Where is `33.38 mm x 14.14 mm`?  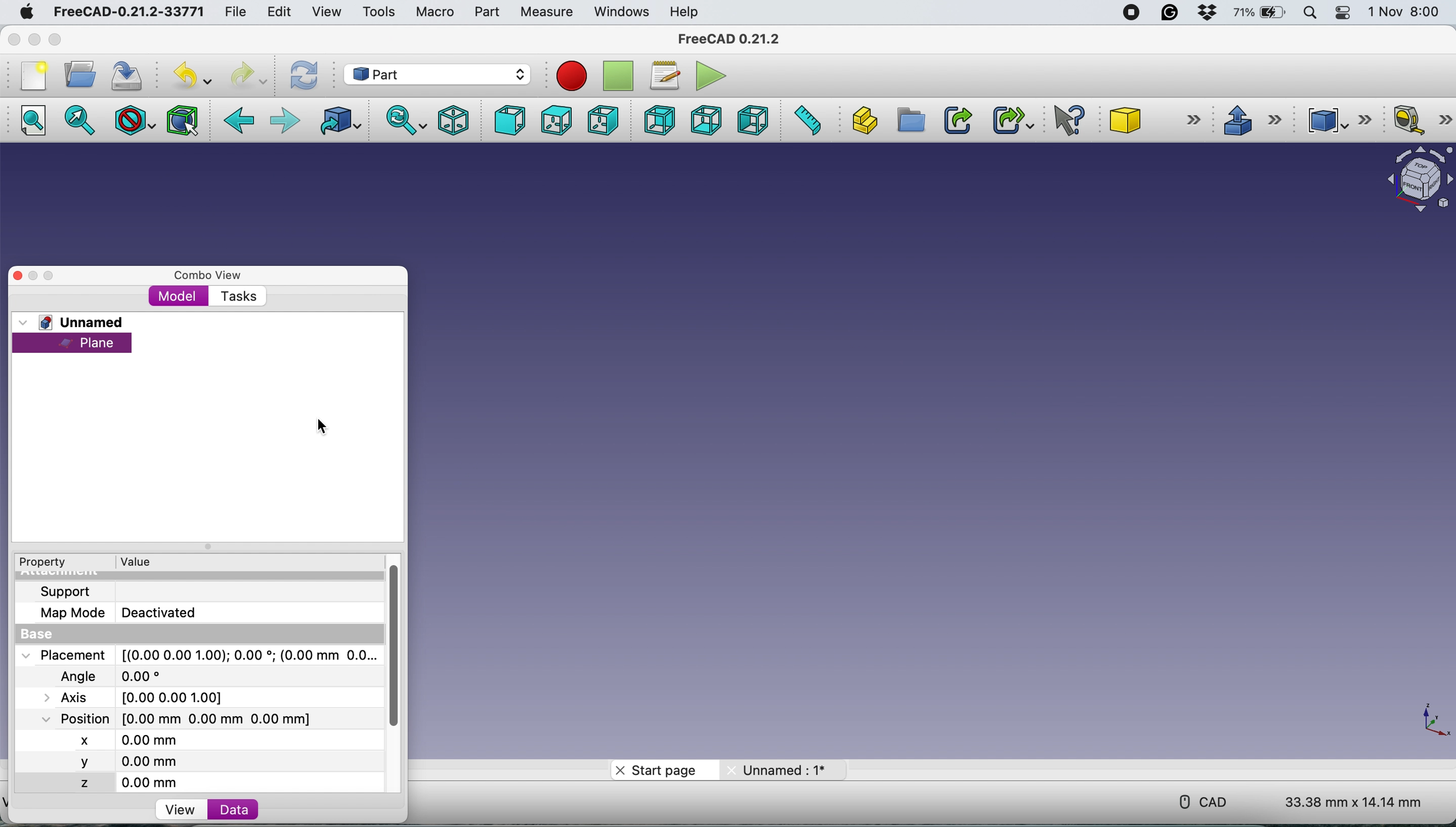
33.38 mm x 14.14 mm is located at coordinates (1358, 803).